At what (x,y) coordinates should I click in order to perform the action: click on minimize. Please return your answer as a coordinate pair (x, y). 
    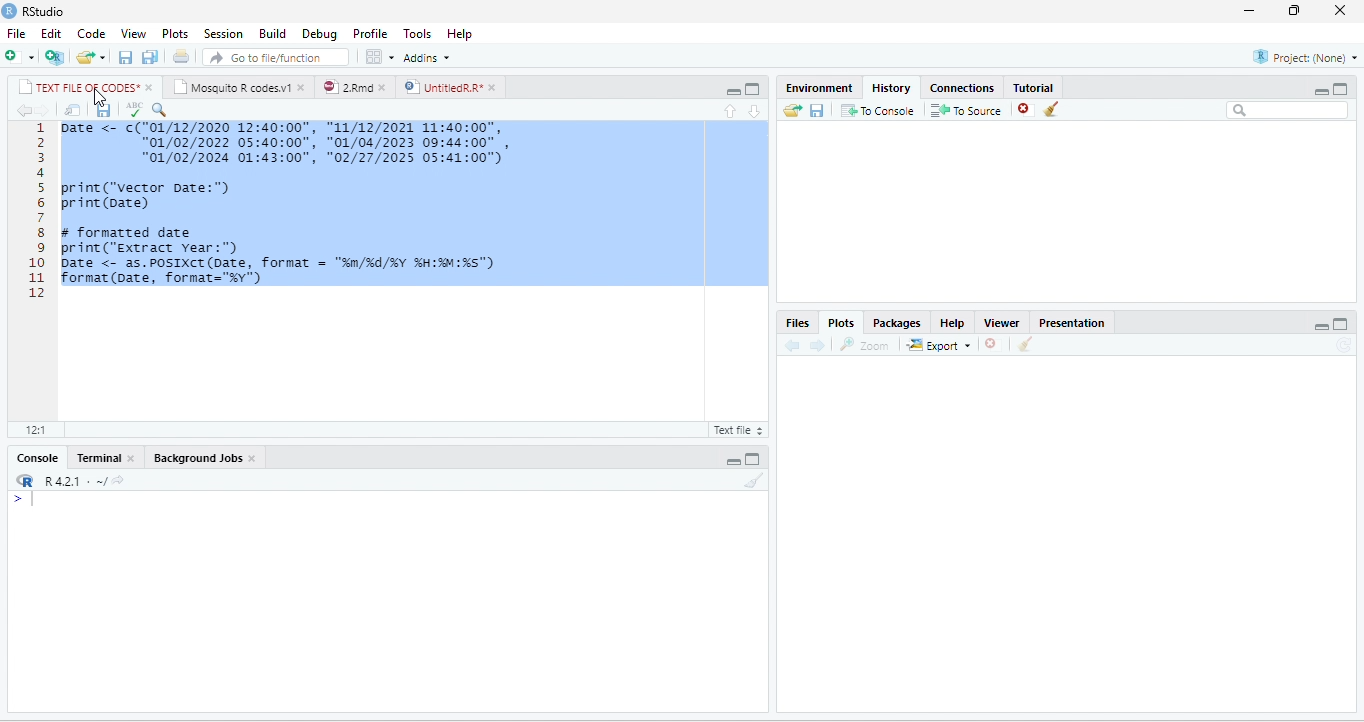
    Looking at the image, I should click on (733, 91).